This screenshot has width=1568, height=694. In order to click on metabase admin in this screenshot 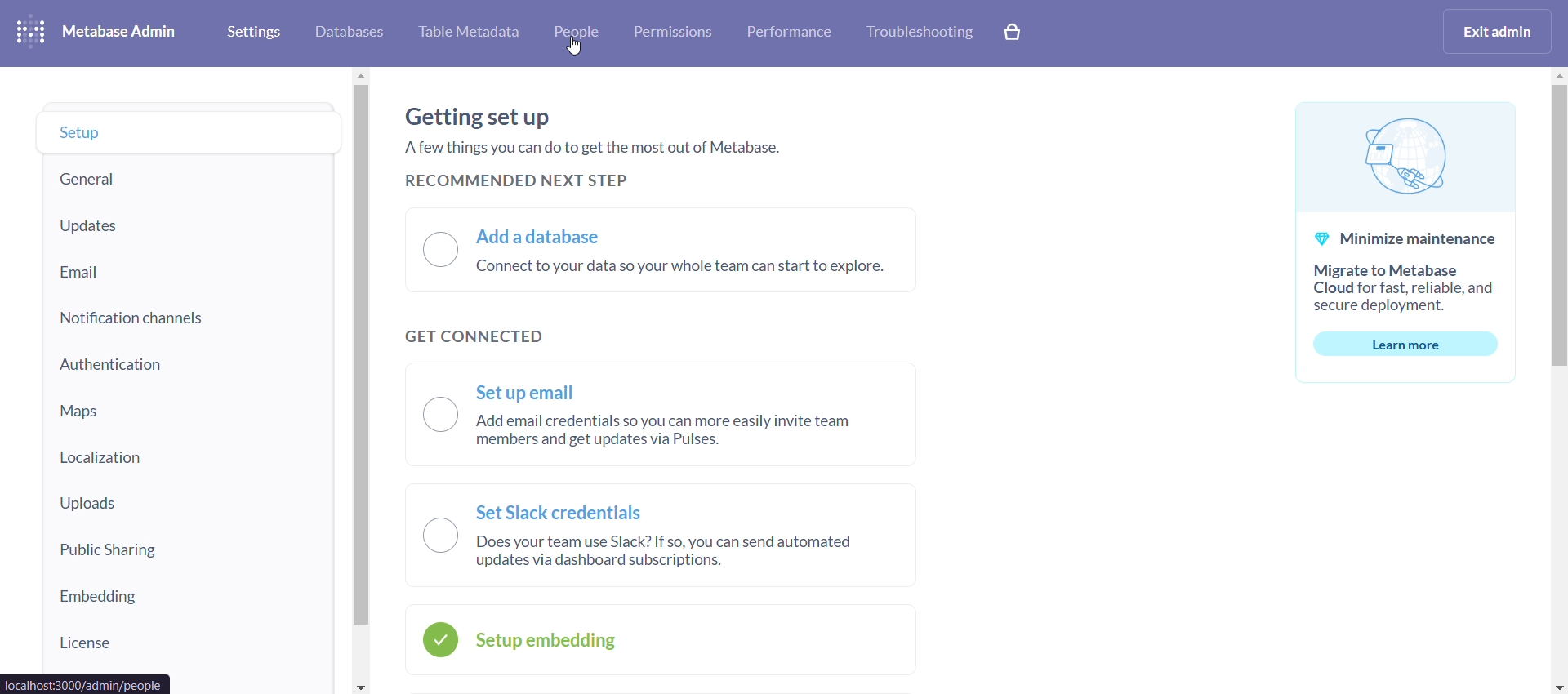, I will do `click(126, 33)`.